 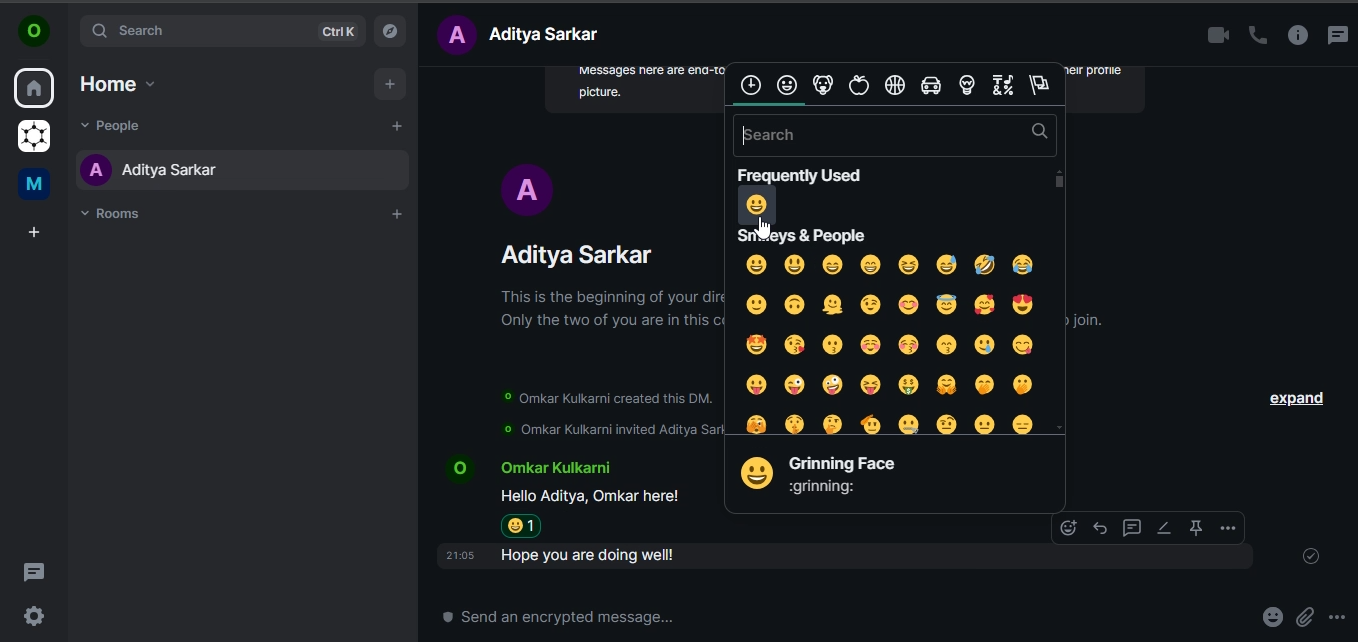 What do you see at coordinates (1270, 617) in the screenshot?
I see `emoji` at bounding box center [1270, 617].